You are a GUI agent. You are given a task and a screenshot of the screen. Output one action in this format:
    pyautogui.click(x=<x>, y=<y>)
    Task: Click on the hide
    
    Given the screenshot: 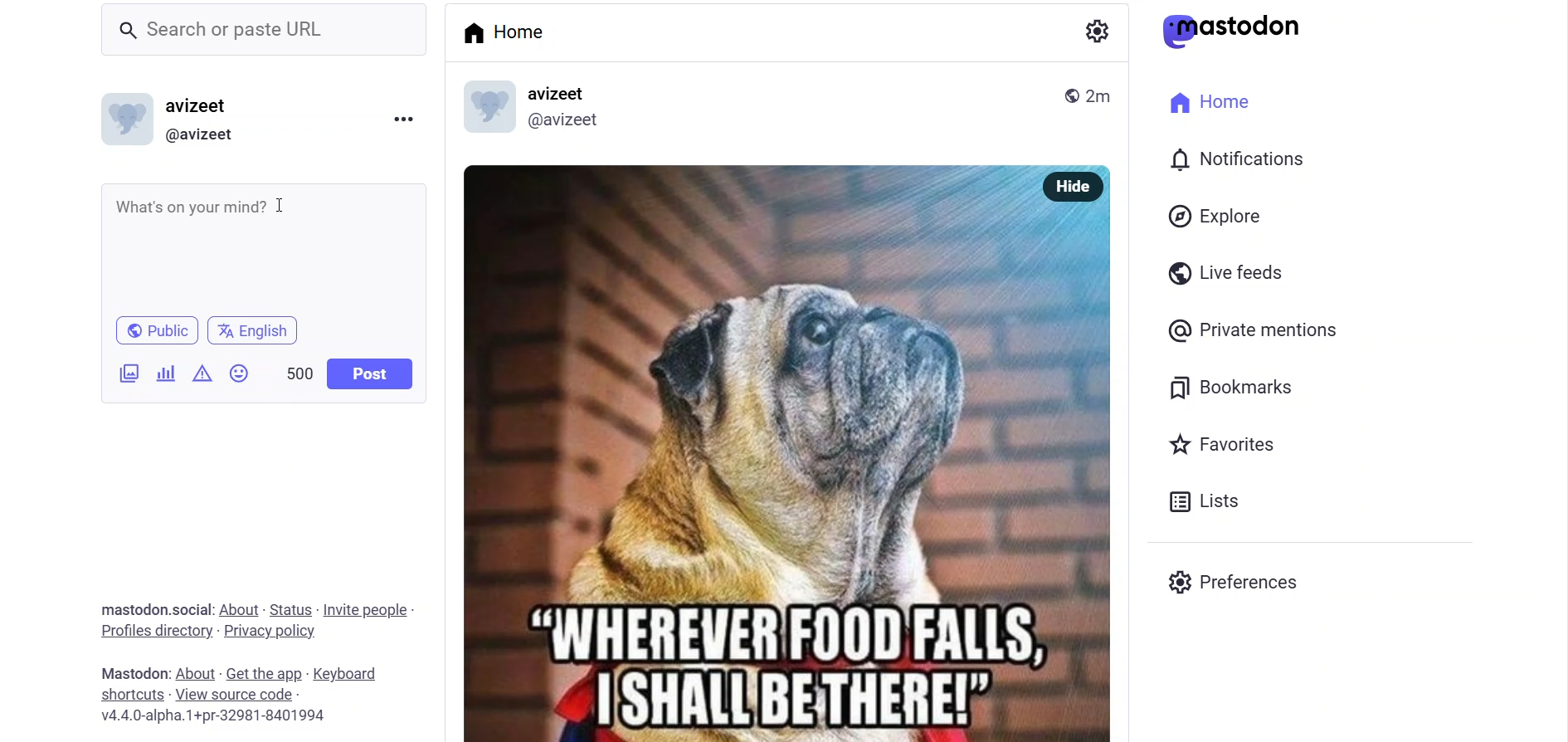 What is the action you would take?
    pyautogui.click(x=1070, y=184)
    